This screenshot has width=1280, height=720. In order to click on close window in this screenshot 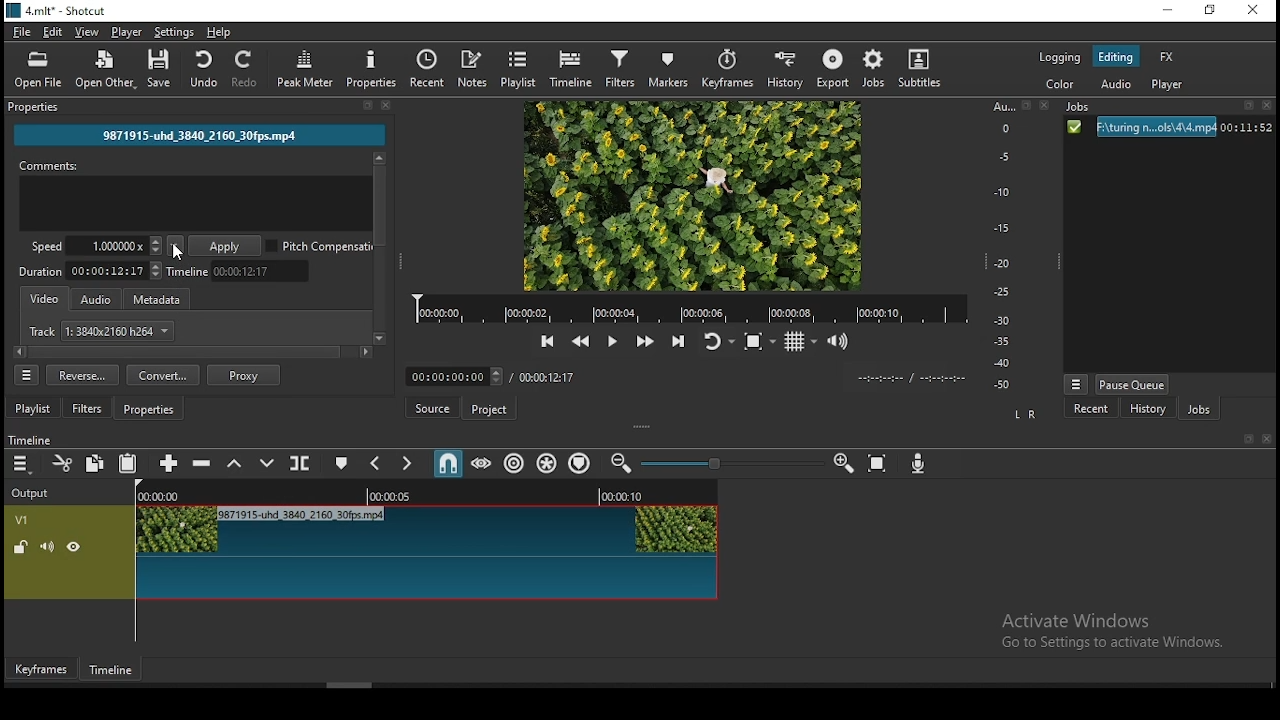, I will do `click(1253, 11)`.